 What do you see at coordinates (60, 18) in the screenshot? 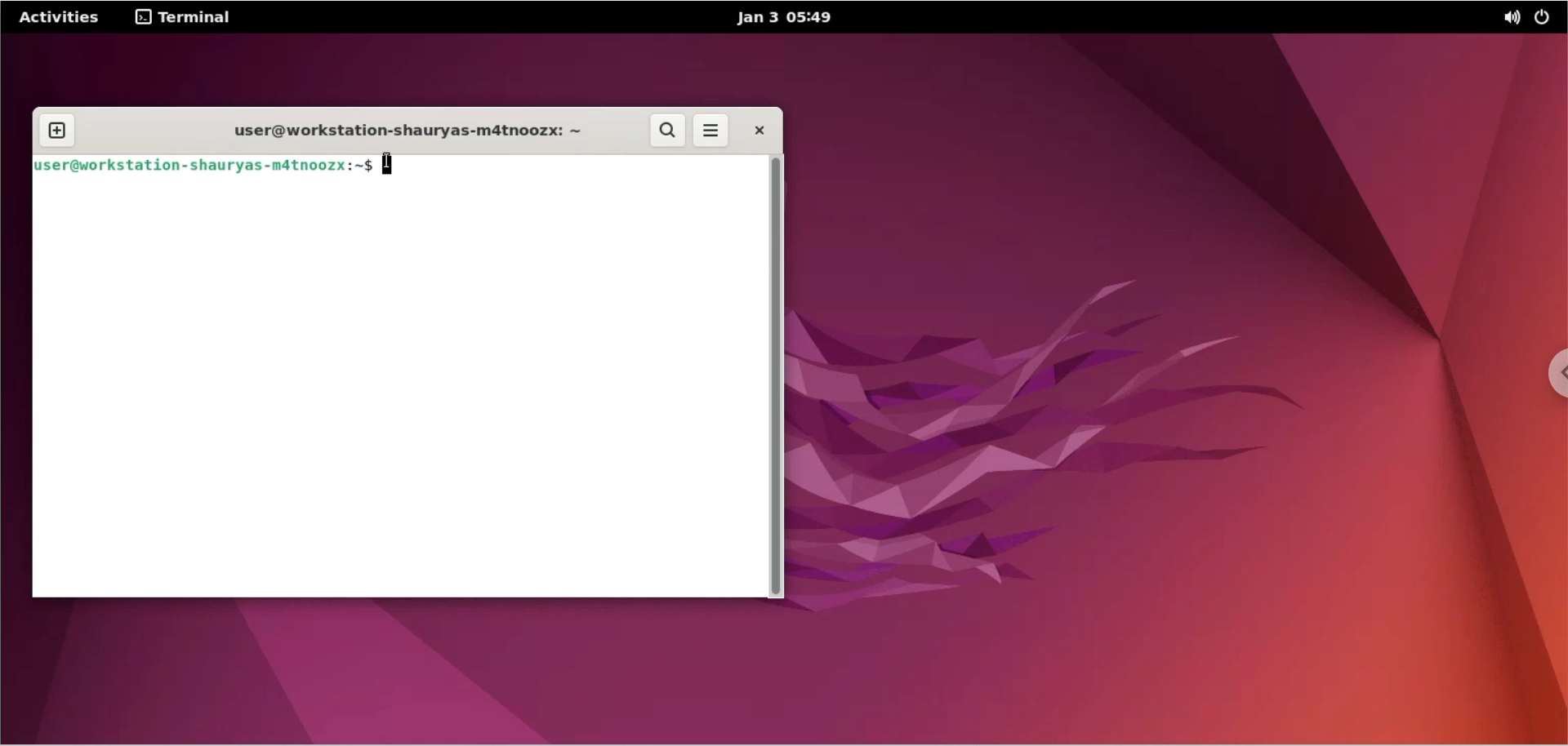
I see `Activities` at bounding box center [60, 18].